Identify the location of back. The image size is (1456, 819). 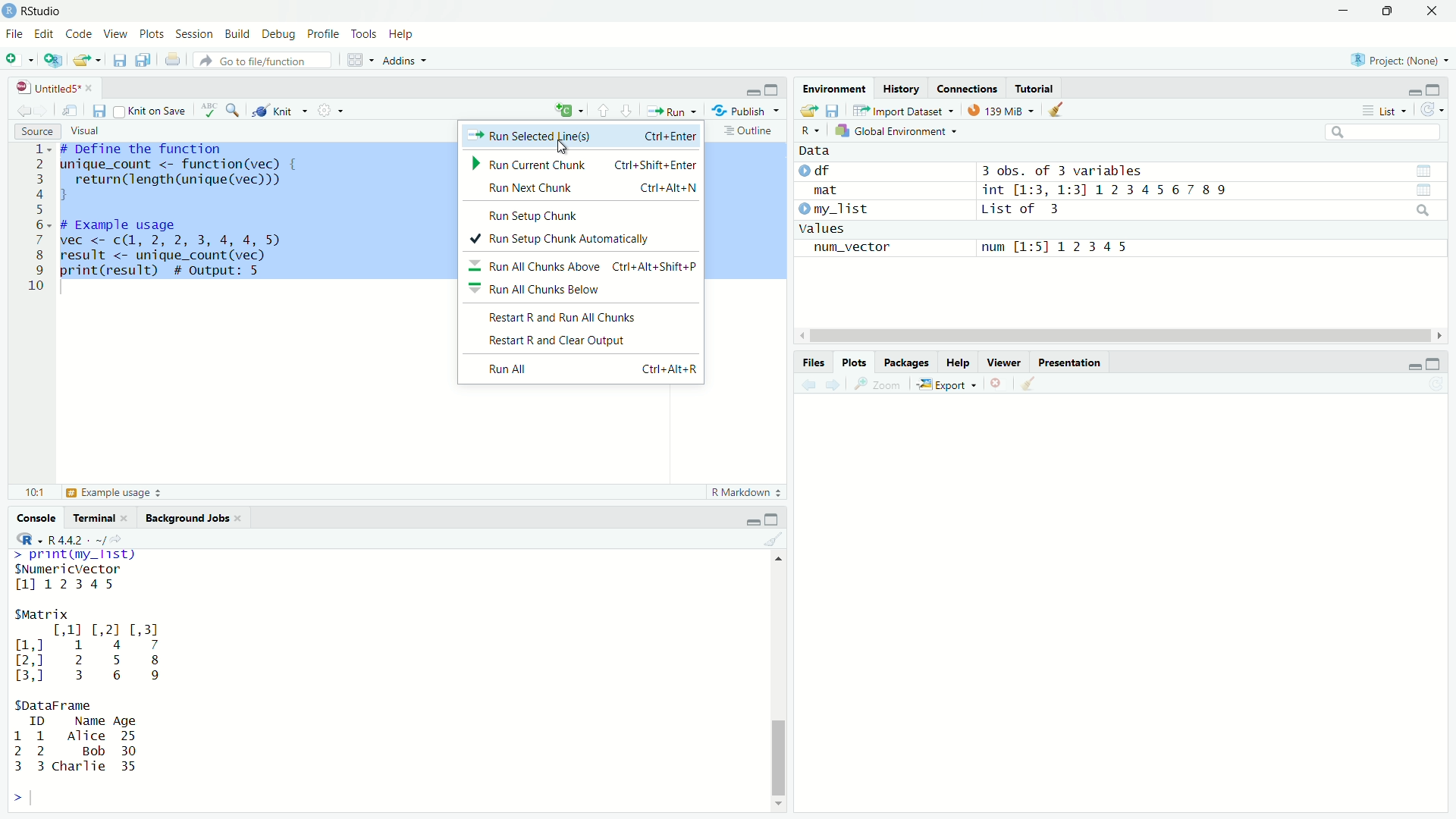
(811, 385).